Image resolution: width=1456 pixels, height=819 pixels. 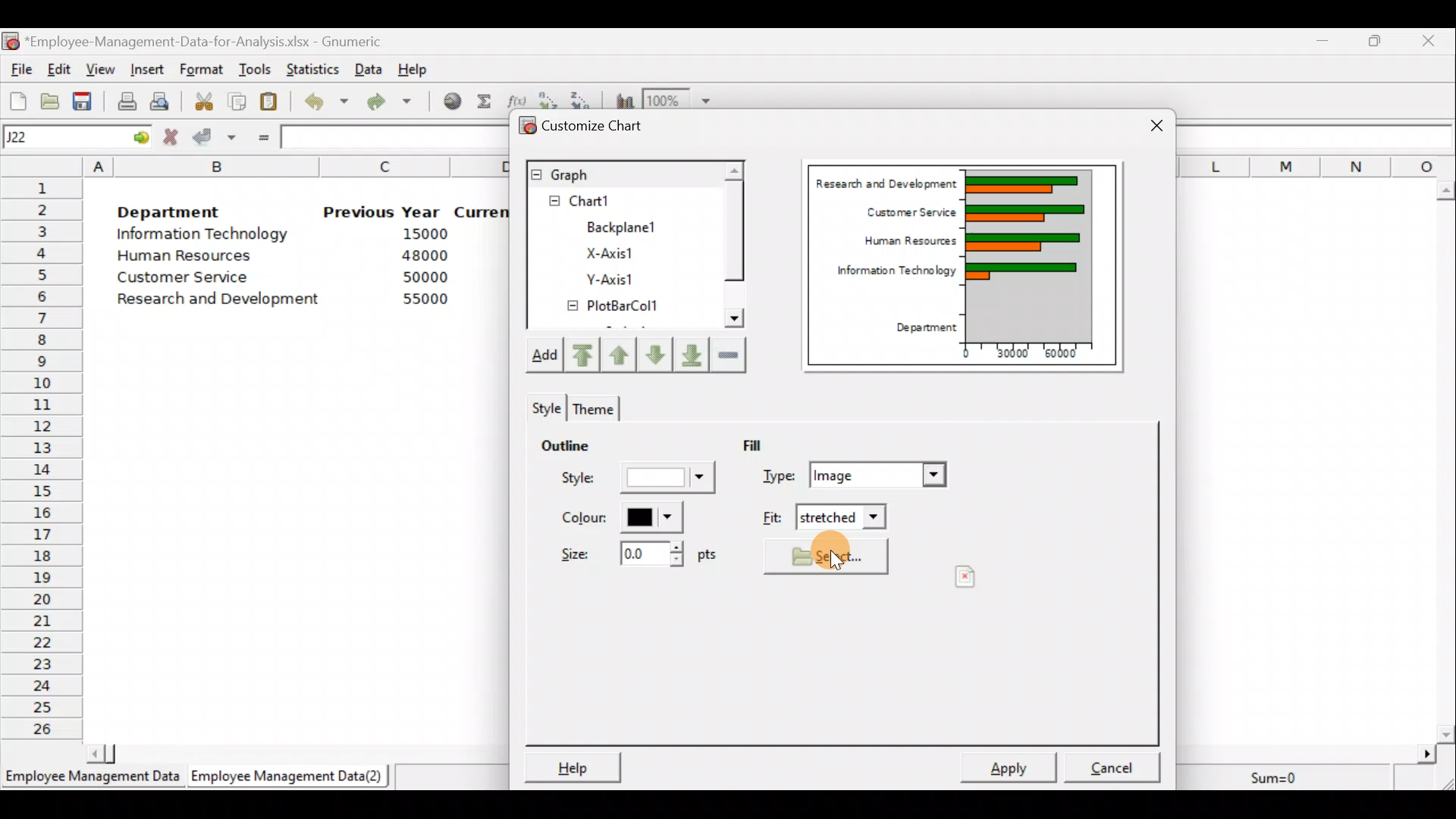 I want to click on Data, so click(x=369, y=67).